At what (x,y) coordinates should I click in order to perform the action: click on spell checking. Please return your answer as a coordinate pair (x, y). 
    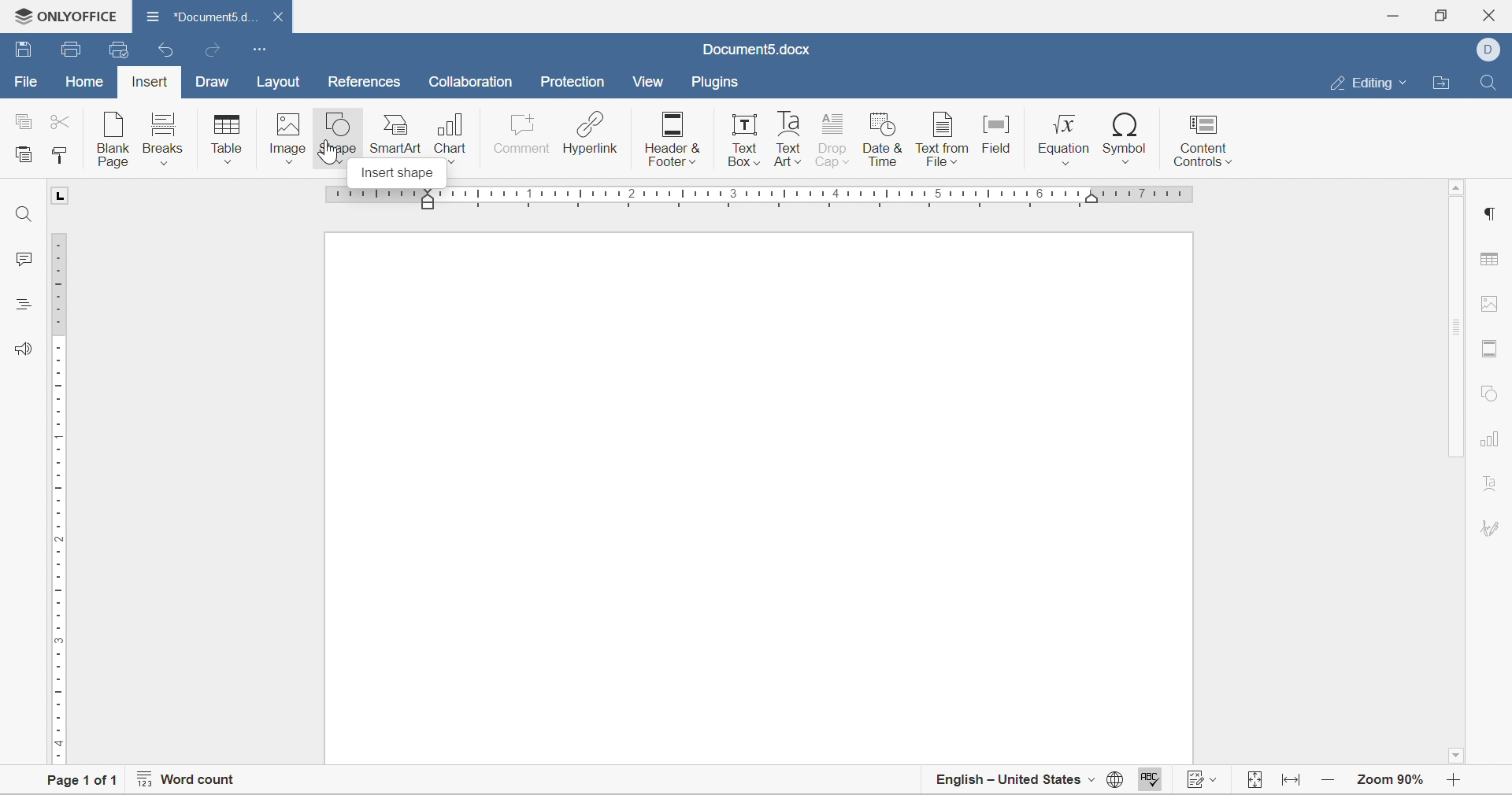
    Looking at the image, I should click on (1148, 780).